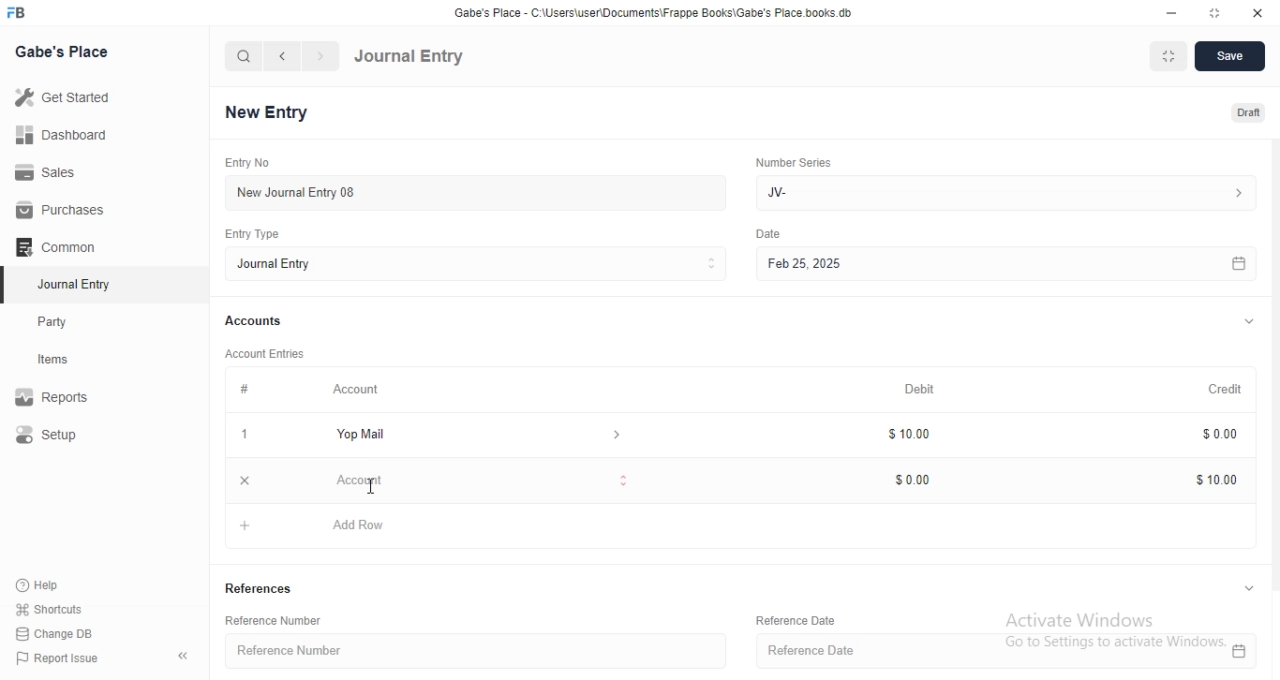 Image resolution: width=1280 pixels, height=680 pixels. What do you see at coordinates (61, 138) in the screenshot?
I see `Dashboard` at bounding box center [61, 138].